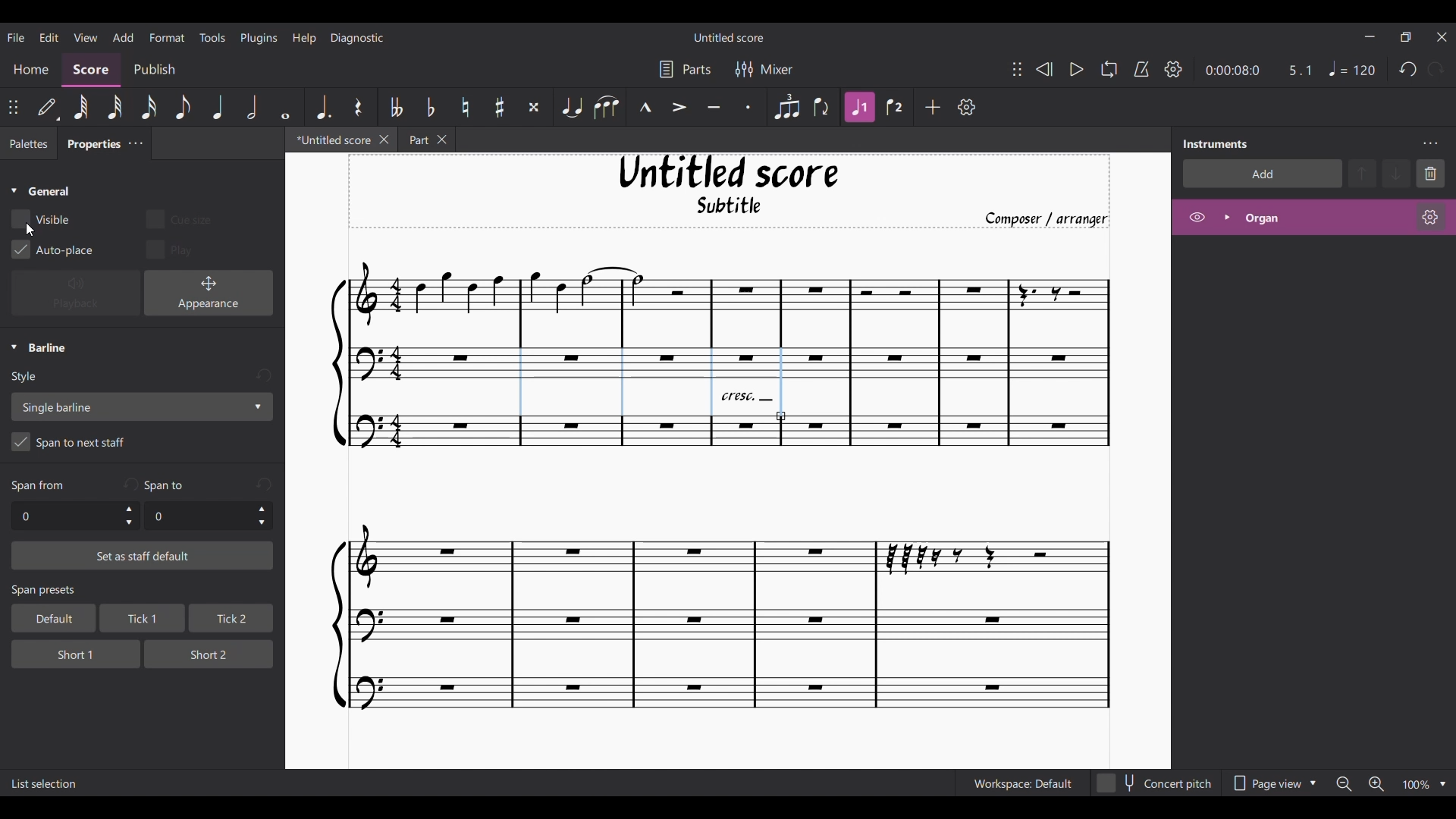 The width and height of the screenshot is (1456, 819). What do you see at coordinates (49, 36) in the screenshot?
I see `Edit menu` at bounding box center [49, 36].